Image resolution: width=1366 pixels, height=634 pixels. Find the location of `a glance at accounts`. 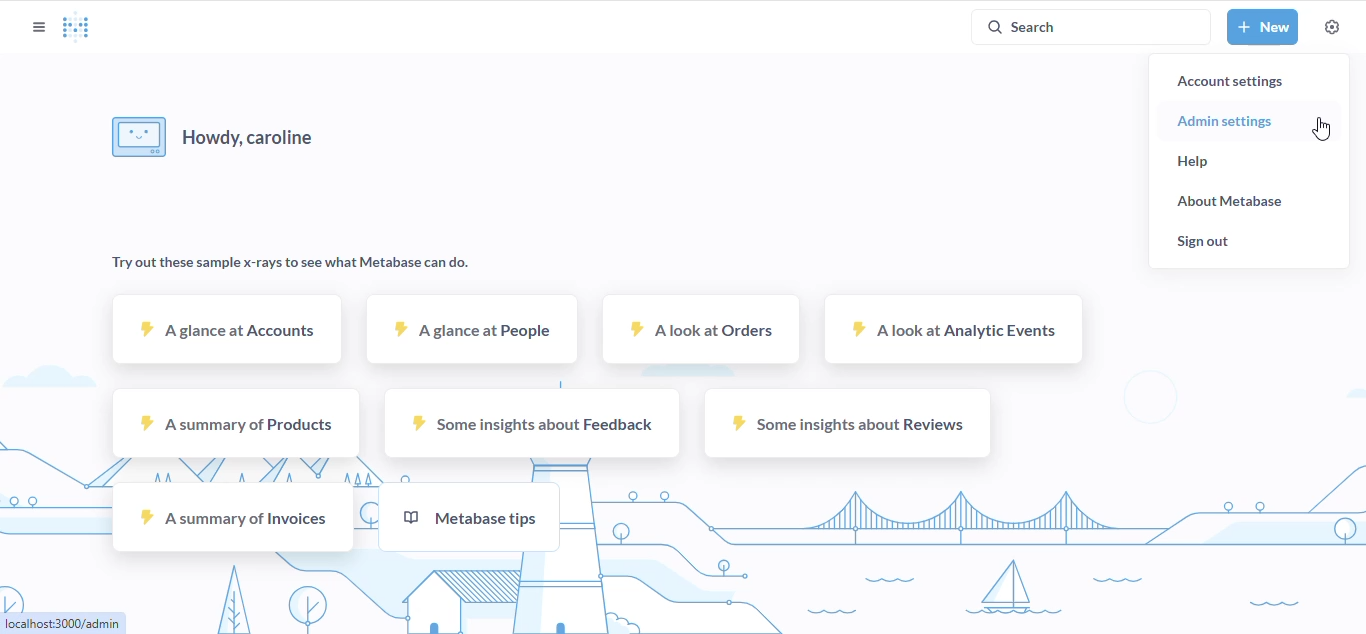

a glance at accounts is located at coordinates (230, 330).